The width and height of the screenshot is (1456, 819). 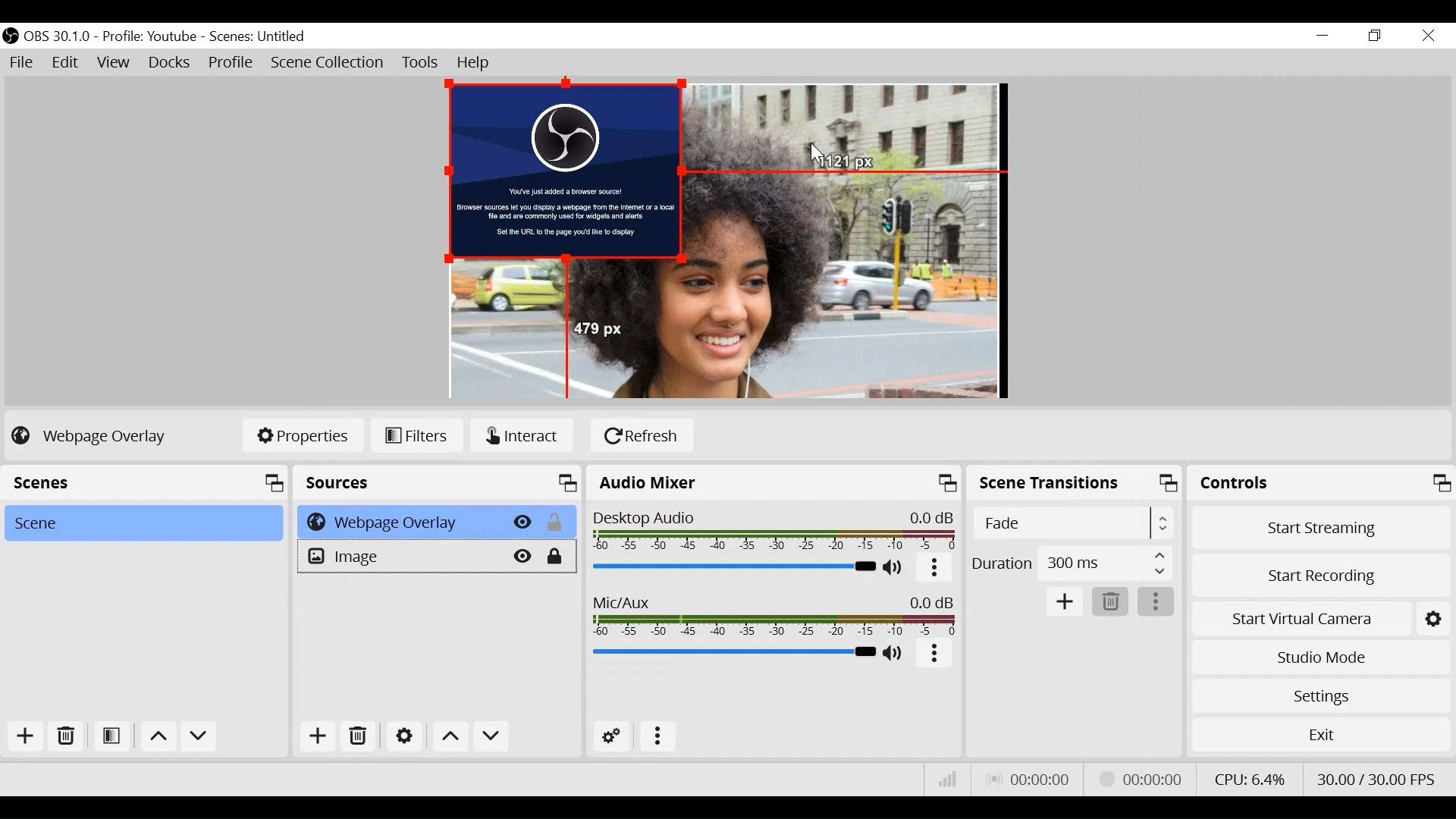 What do you see at coordinates (1322, 36) in the screenshot?
I see `minimize` at bounding box center [1322, 36].